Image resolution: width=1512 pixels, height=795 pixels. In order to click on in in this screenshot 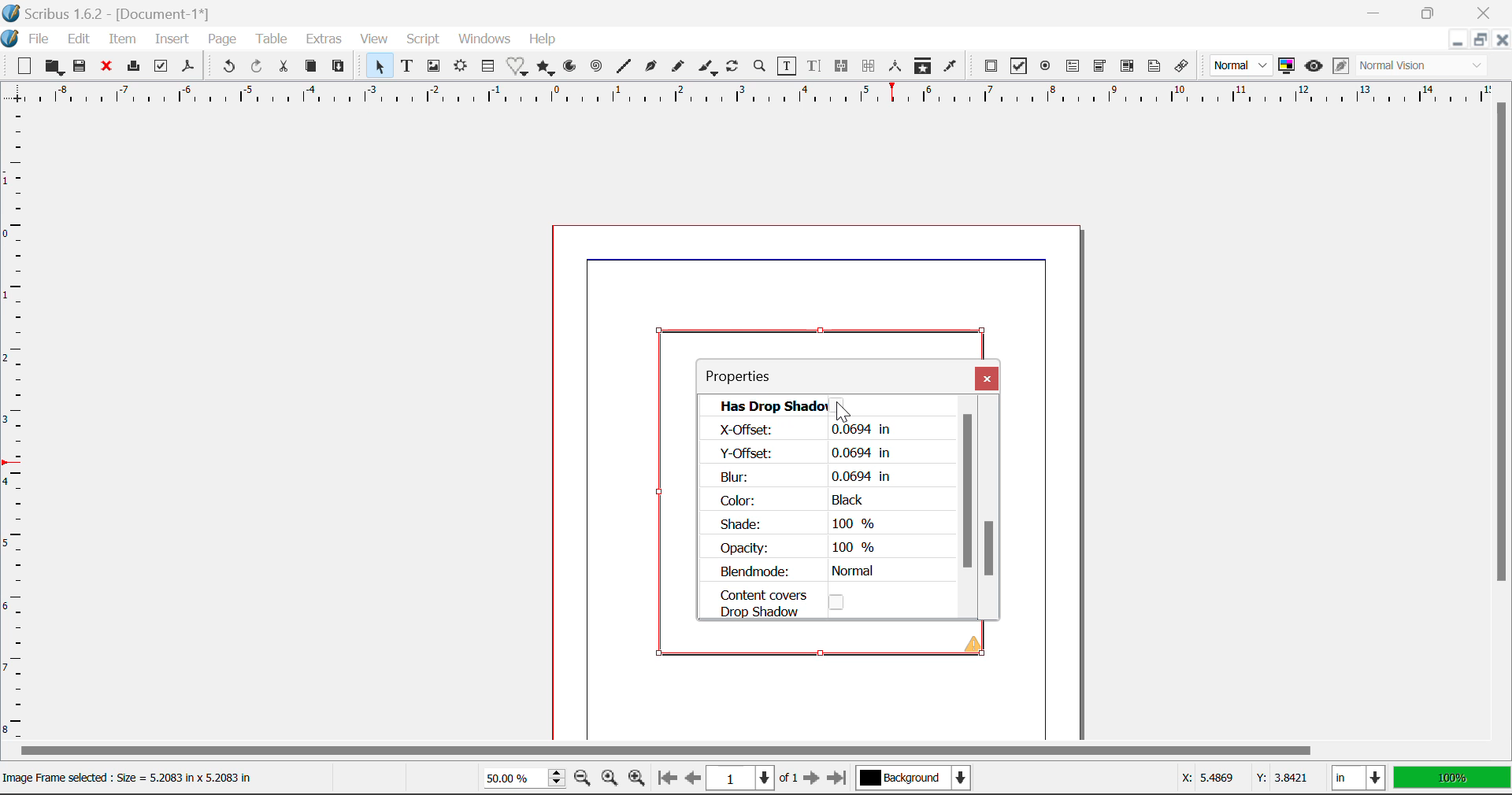, I will do `click(1358, 778)`.